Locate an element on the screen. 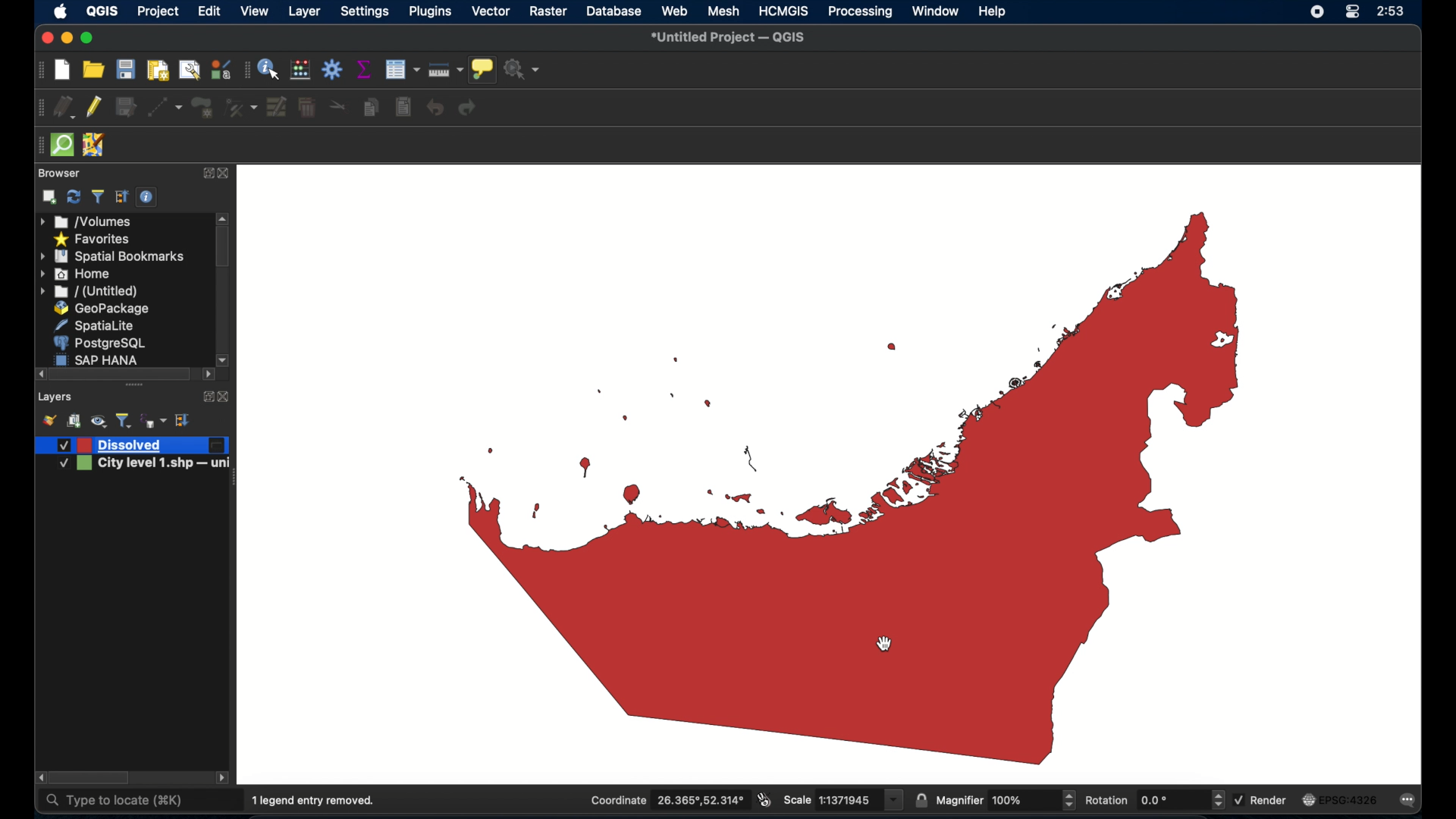 The width and height of the screenshot is (1456, 819). jsom remote is located at coordinates (95, 145).